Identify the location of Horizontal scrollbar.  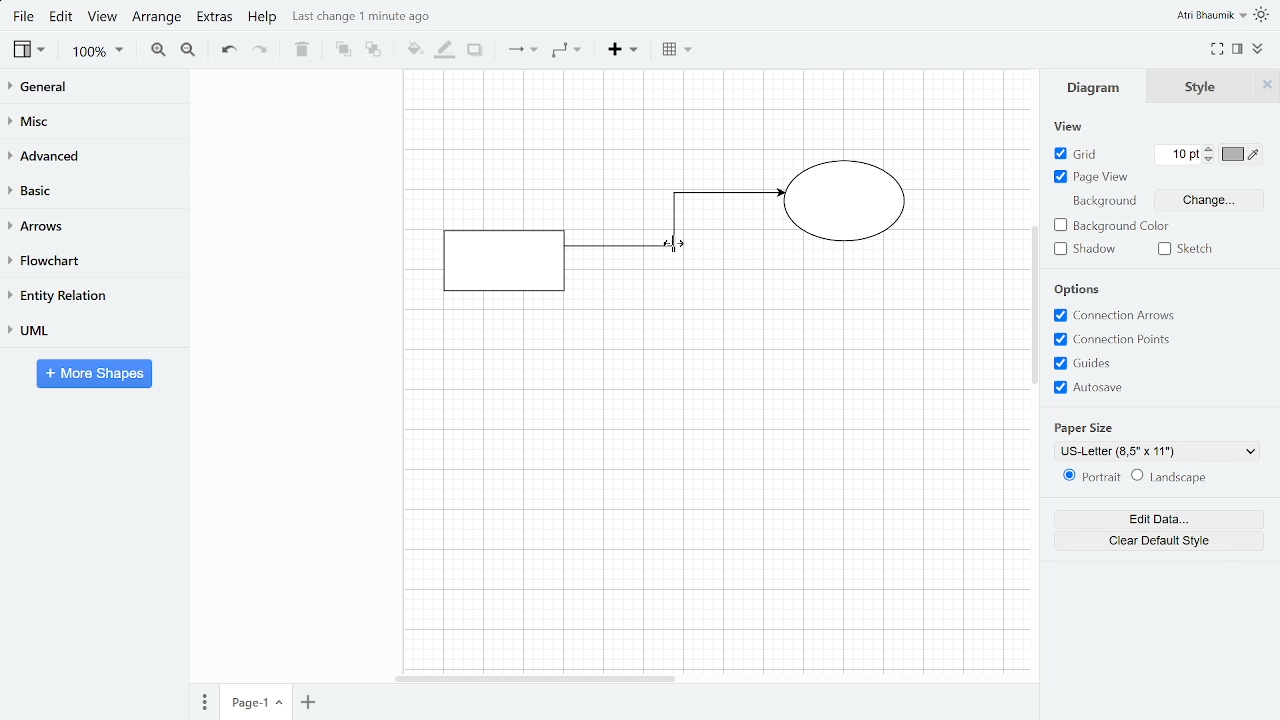
(538, 679).